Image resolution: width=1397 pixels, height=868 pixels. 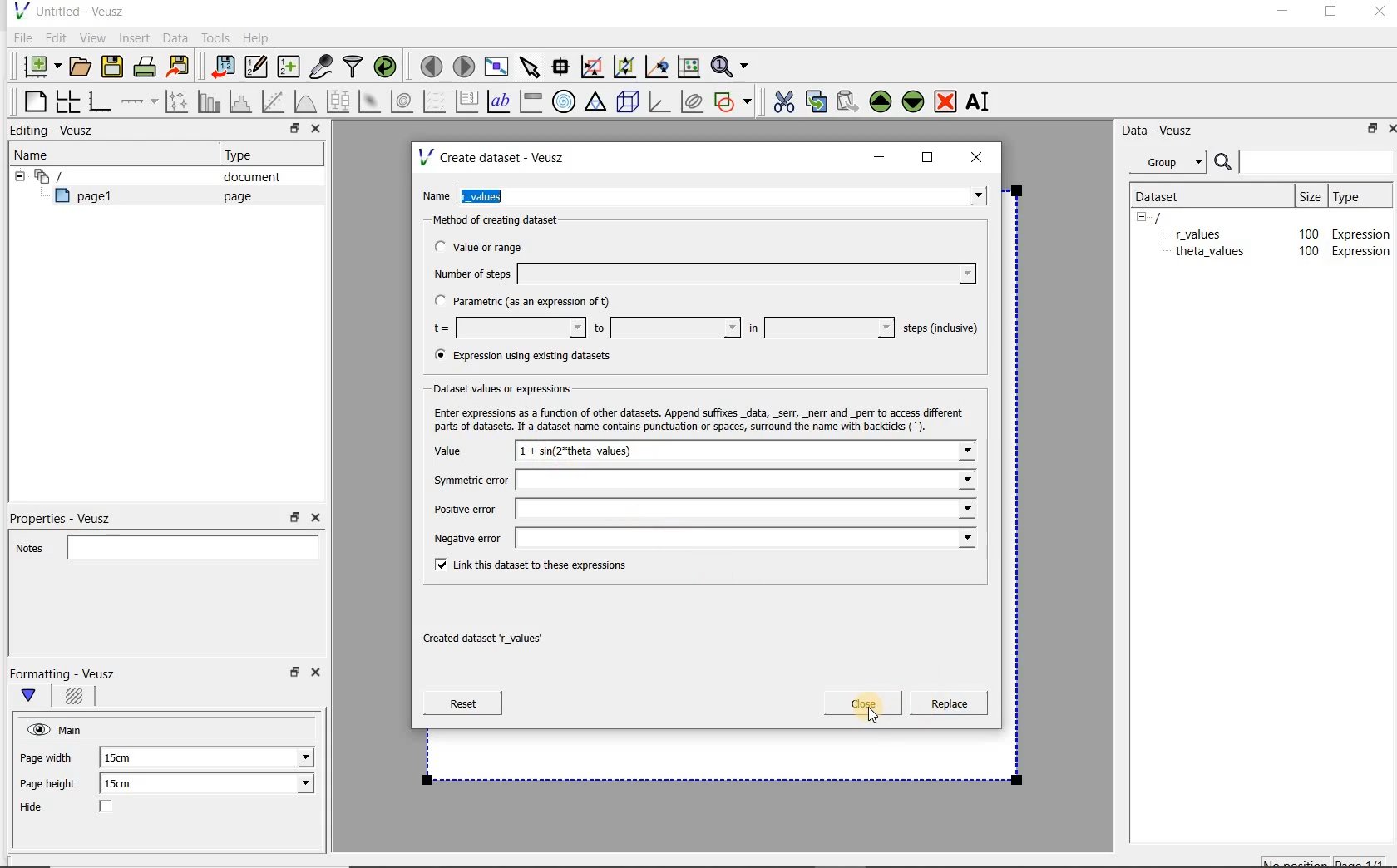 What do you see at coordinates (535, 356) in the screenshot?
I see `(® Expression using existing datasets` at bounding box center [535, 356].